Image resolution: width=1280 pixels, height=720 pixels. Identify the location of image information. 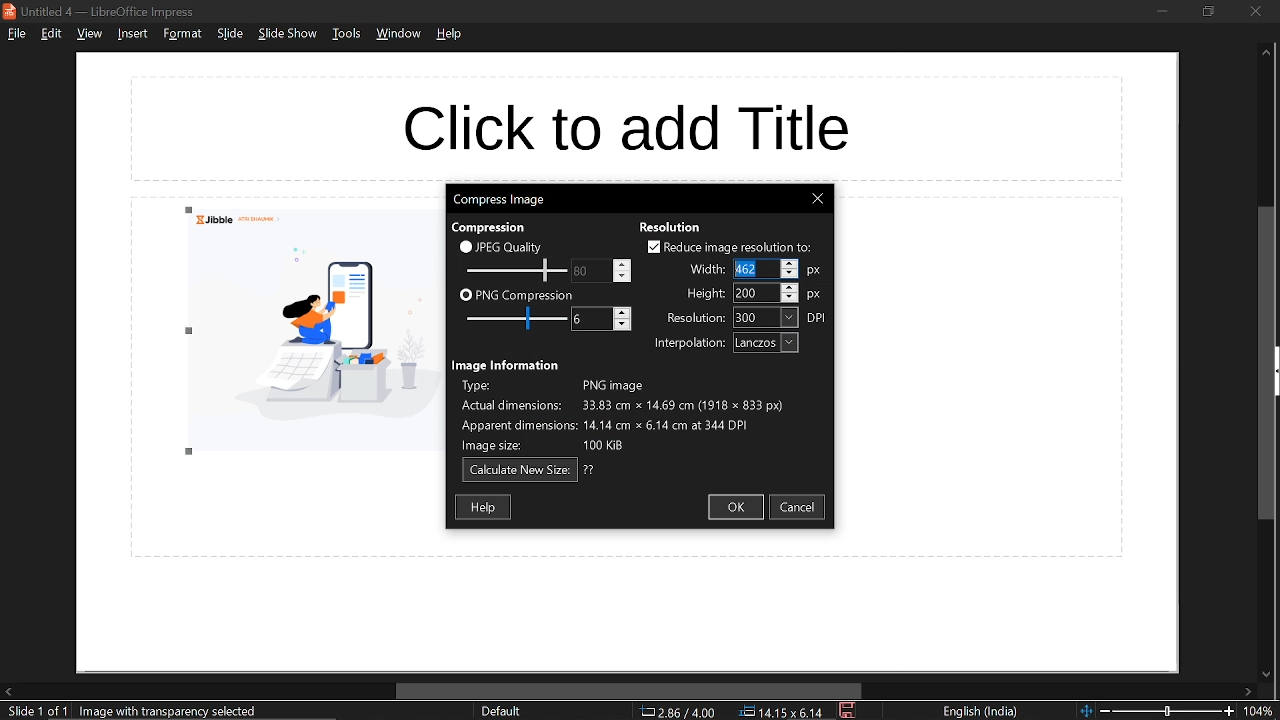
(508, 365).